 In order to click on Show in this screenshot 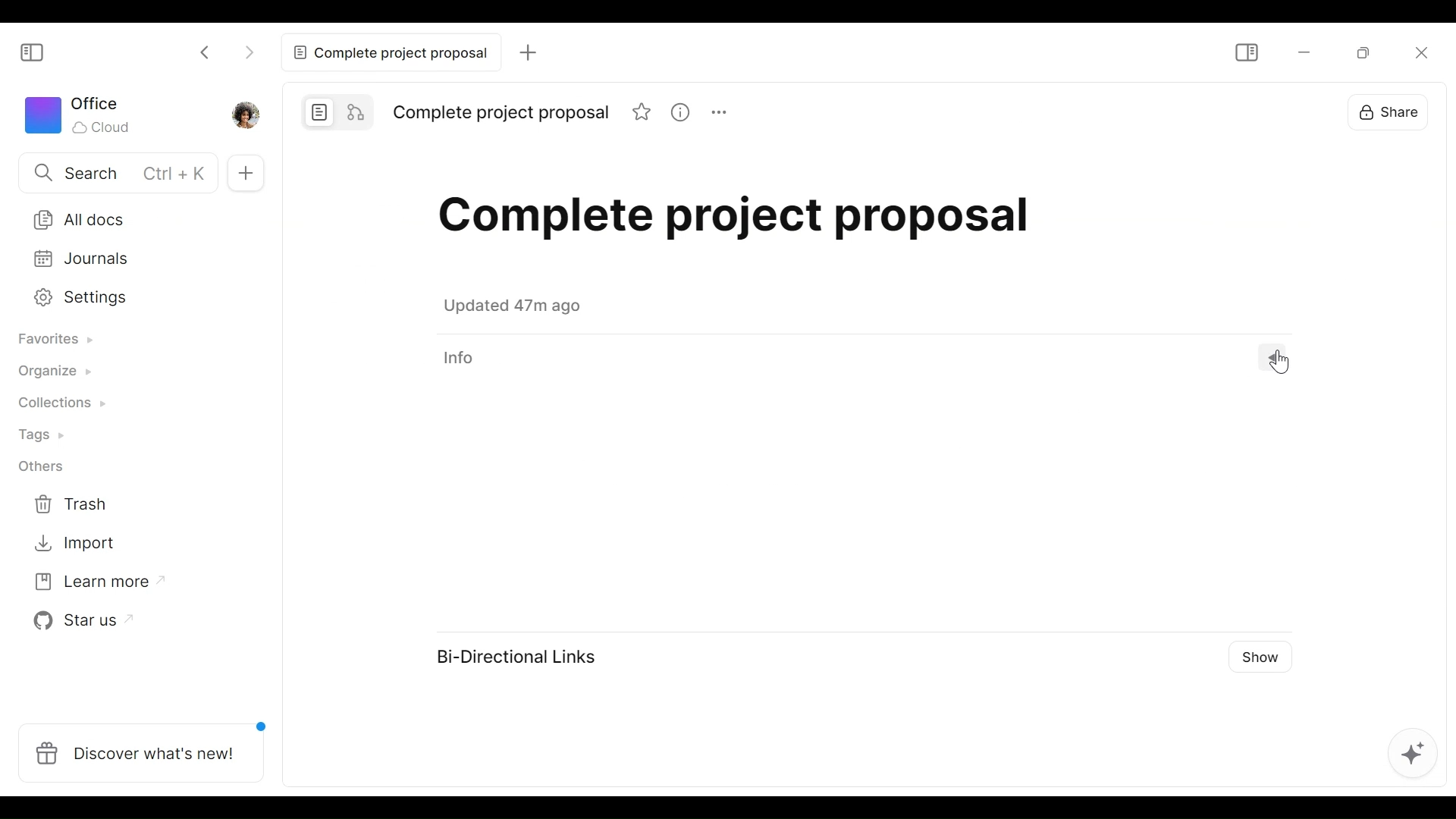, I will do `click(1270, 656)`.